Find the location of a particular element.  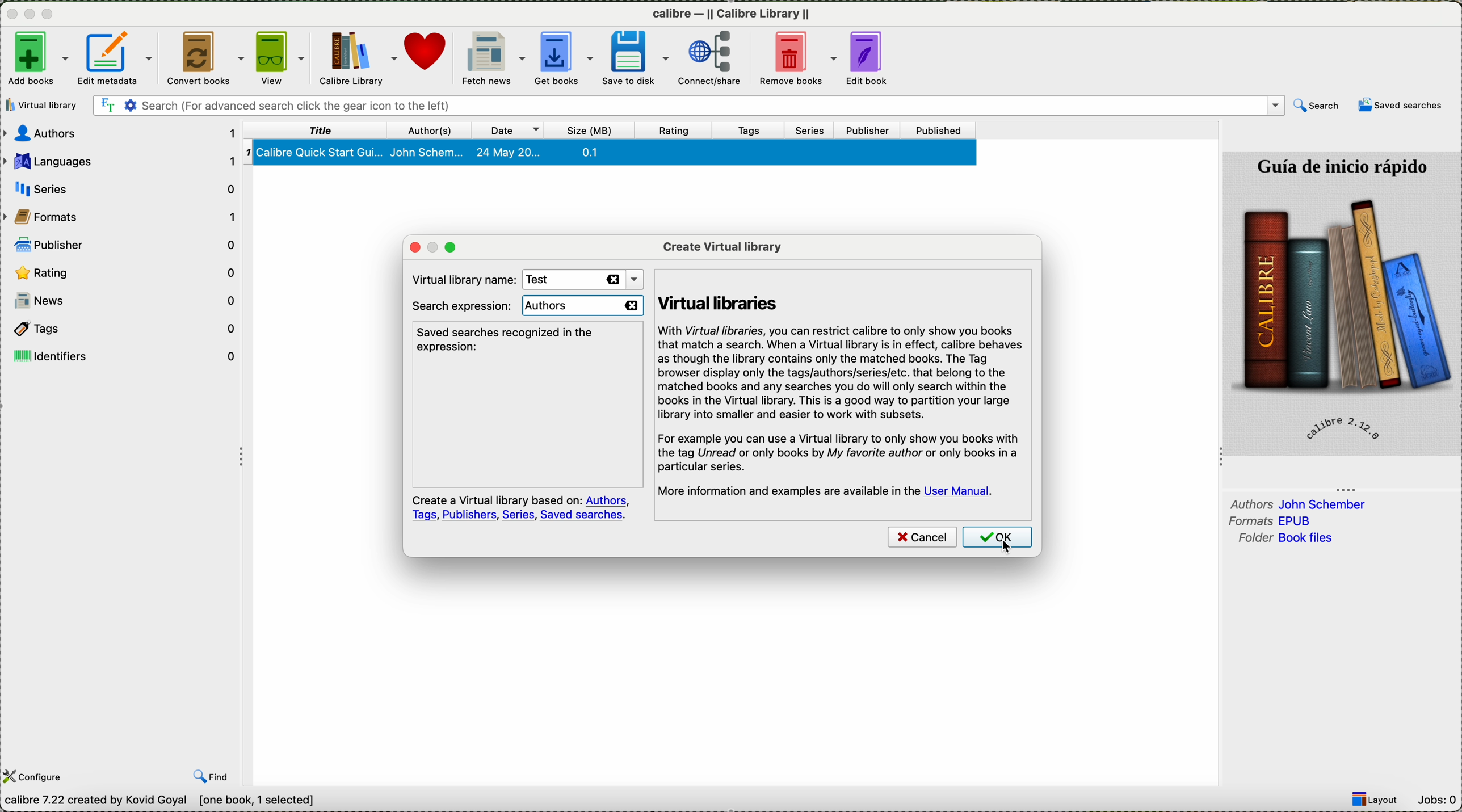

book is located at coordinates (614, 154).